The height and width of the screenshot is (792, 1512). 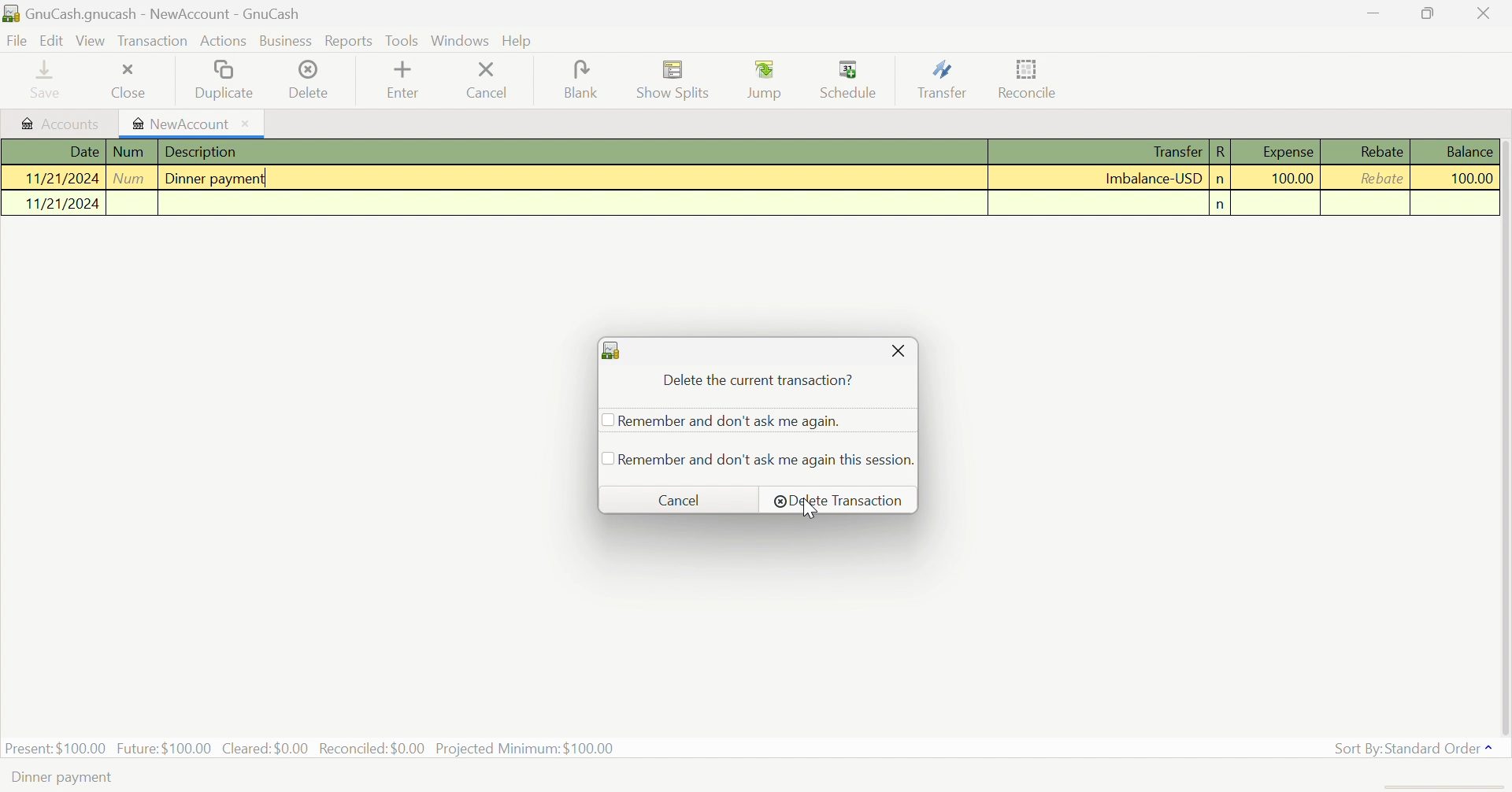 I want to click on Close, so click(x=1481, y=15).